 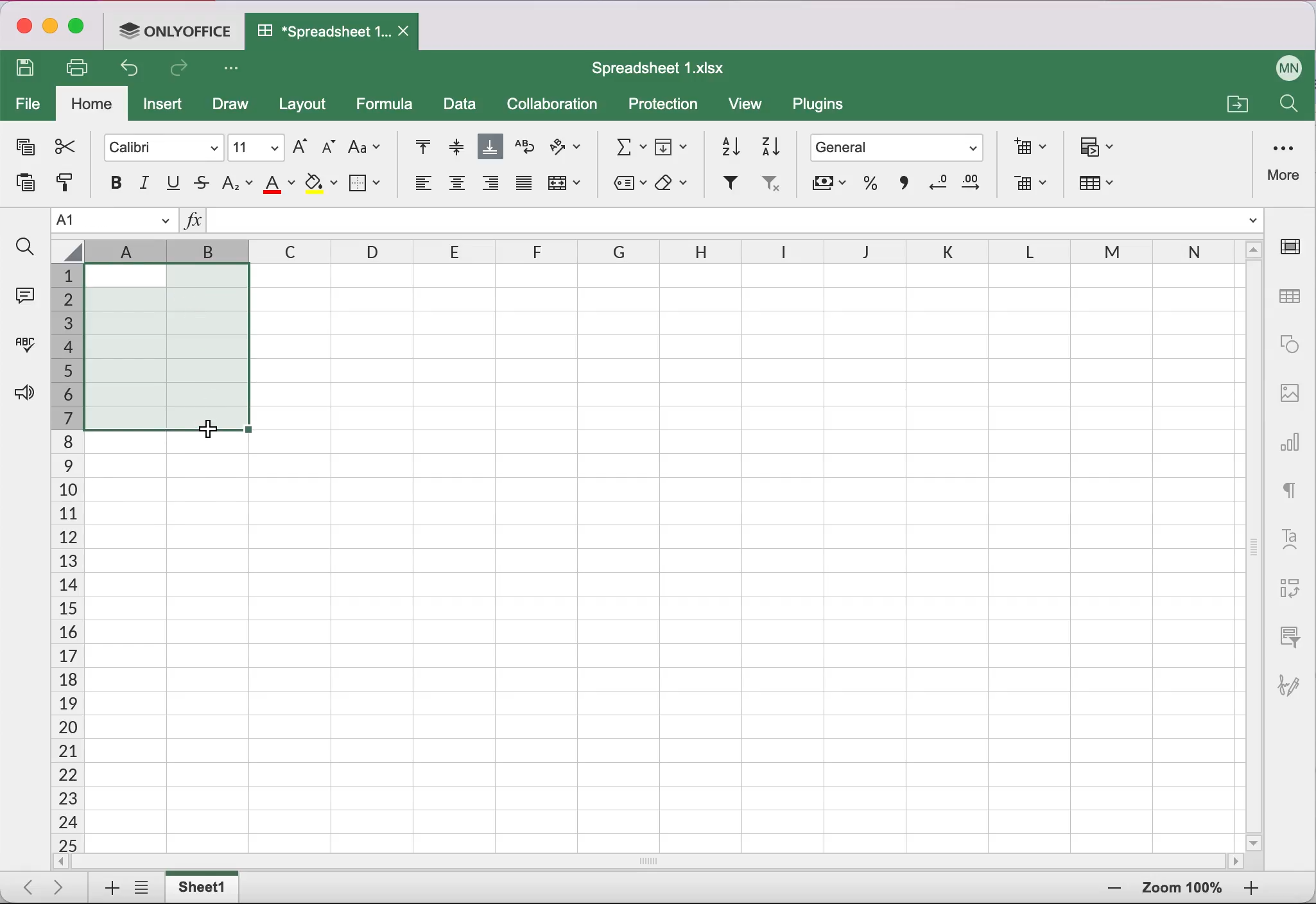 I want to click on align right, so click(x=491, y=187).